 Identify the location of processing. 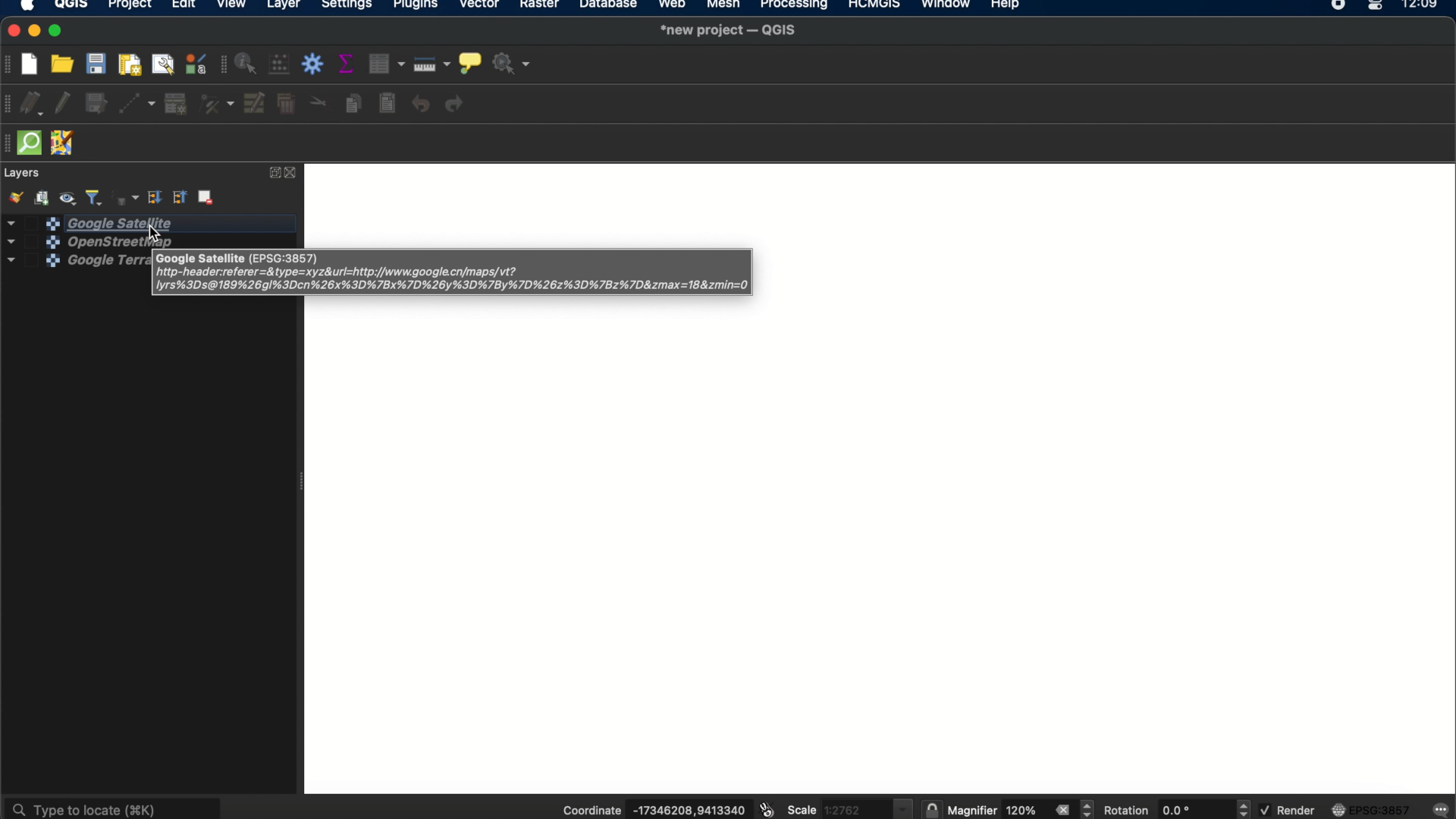
(795, 6).